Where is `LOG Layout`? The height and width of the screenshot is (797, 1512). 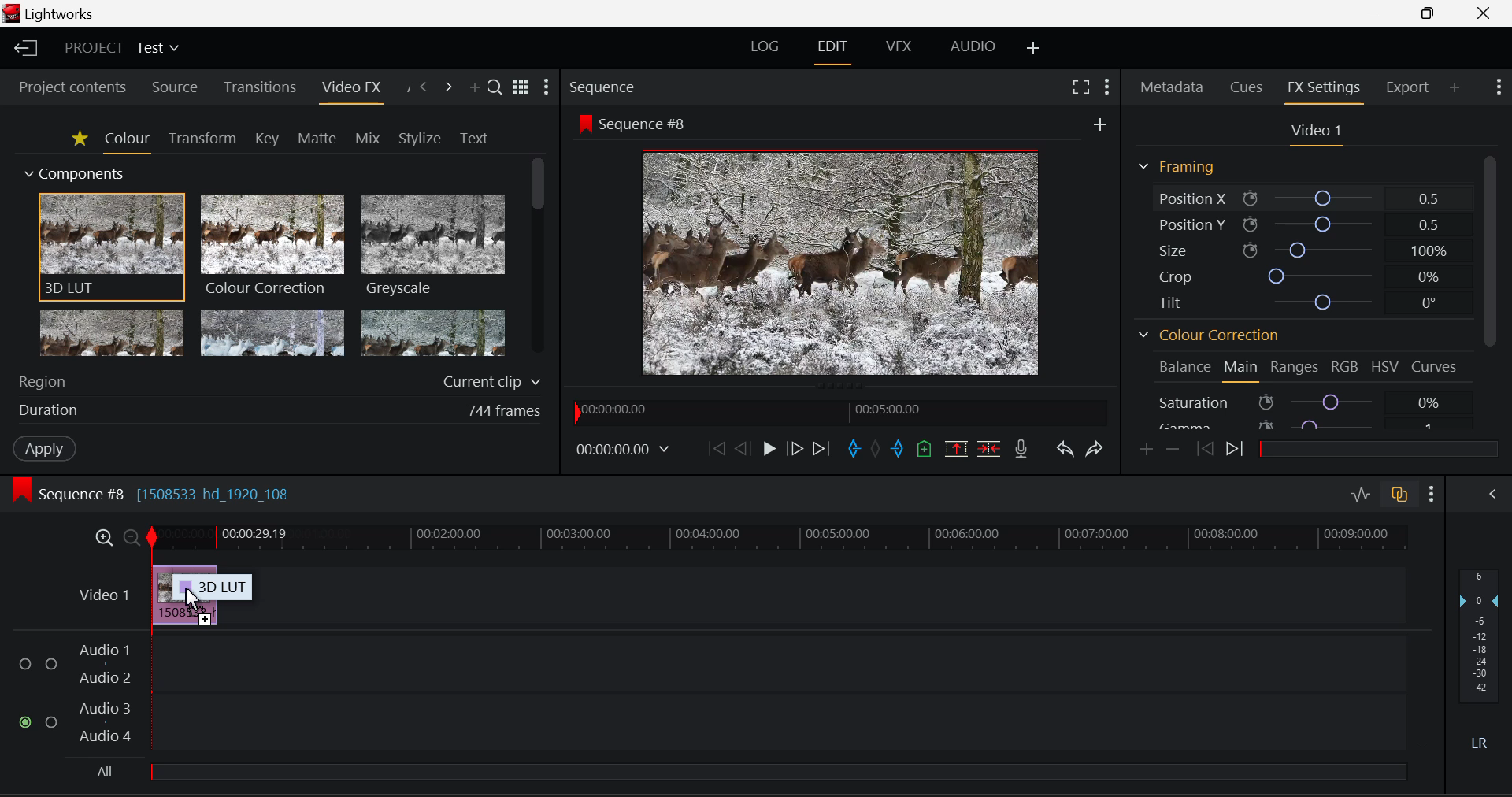 LOG Layout is located at coordinates (766, 51).